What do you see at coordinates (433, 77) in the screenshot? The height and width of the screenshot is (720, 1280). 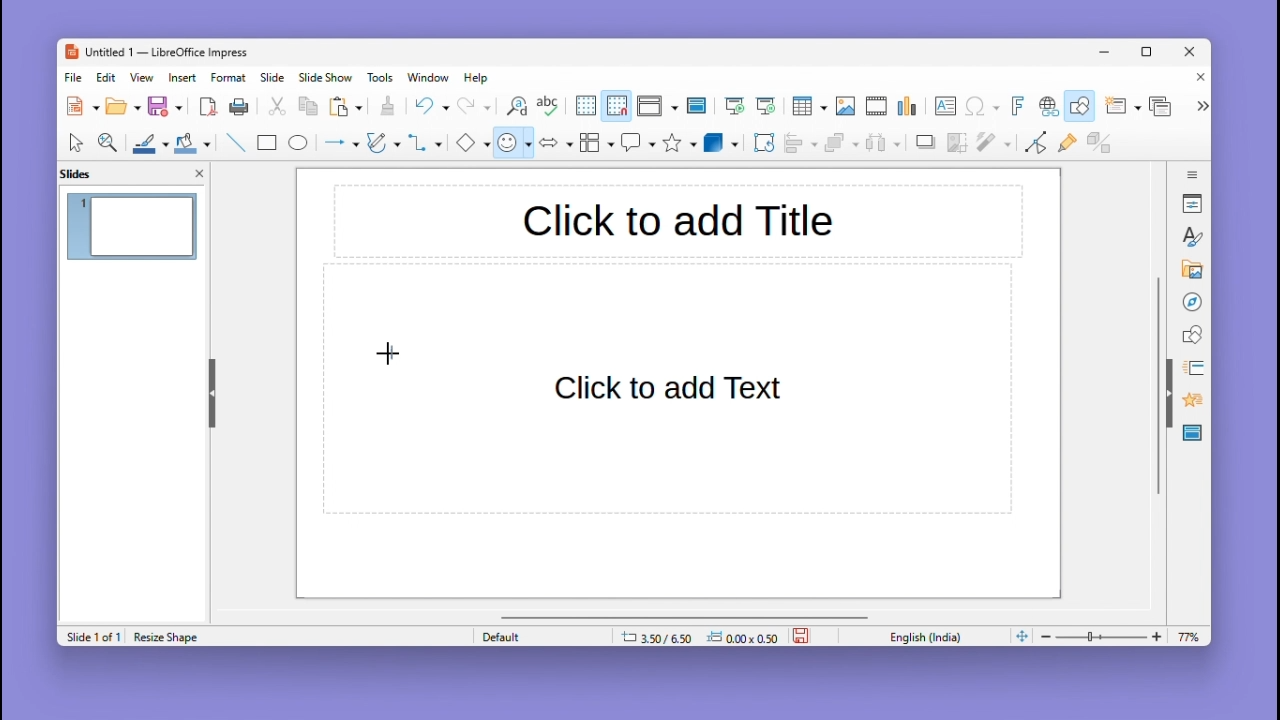 I see `Window` at bounding box center [433, 77].